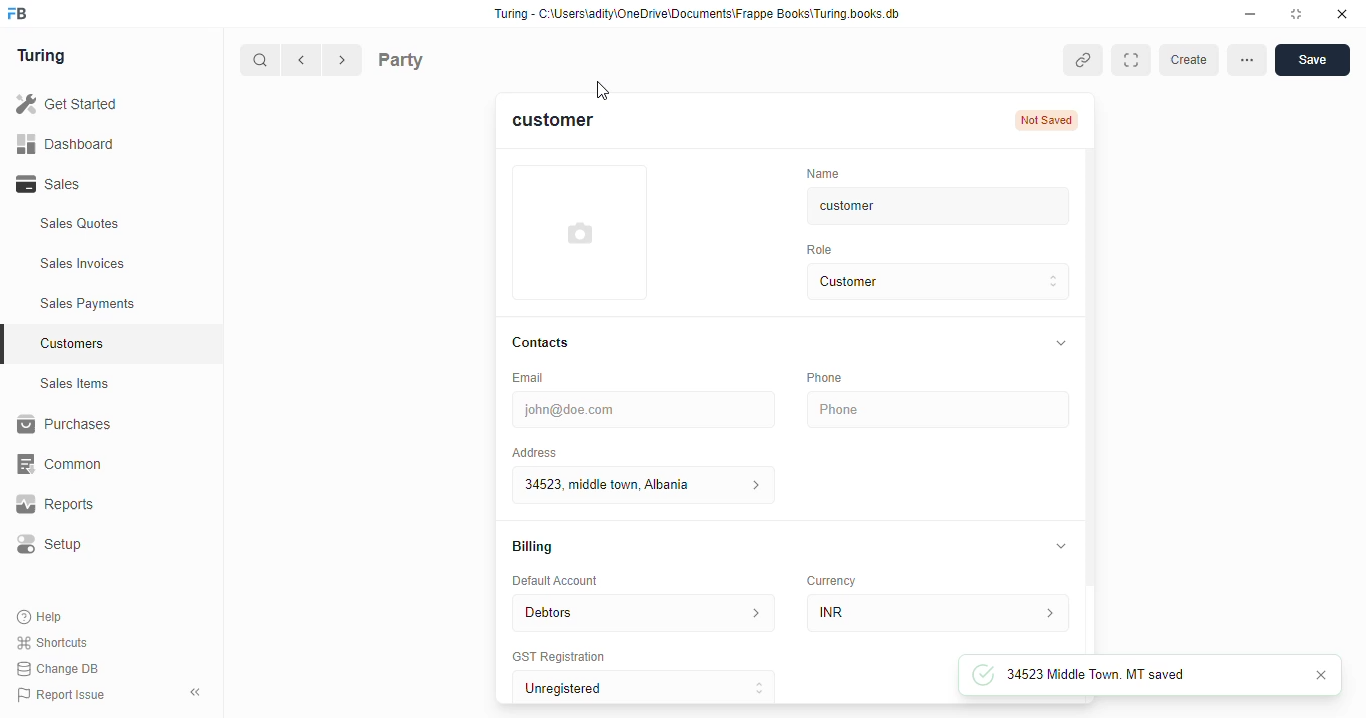 The image size is (1366, 718). Describe the element at coordinates (23, 15) in the screenshot. I see `frappebooks logo` at that location.